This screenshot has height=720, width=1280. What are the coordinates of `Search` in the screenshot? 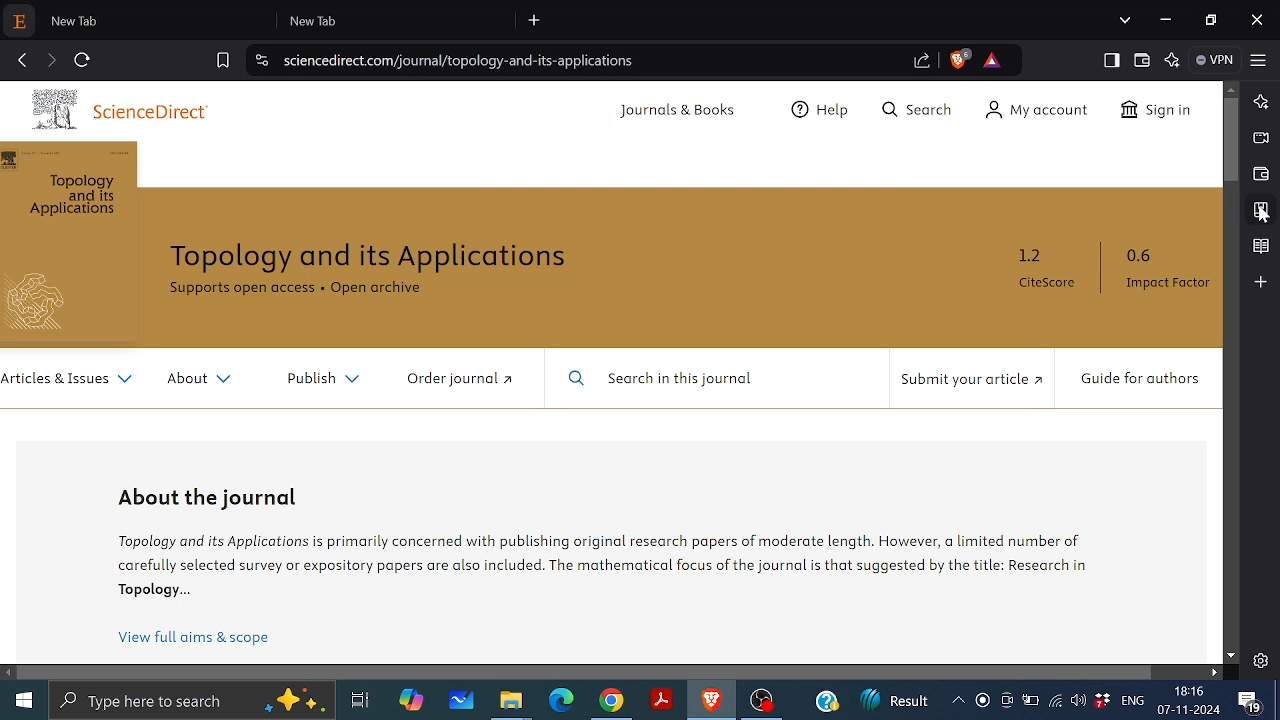 It's located at (914, 112).